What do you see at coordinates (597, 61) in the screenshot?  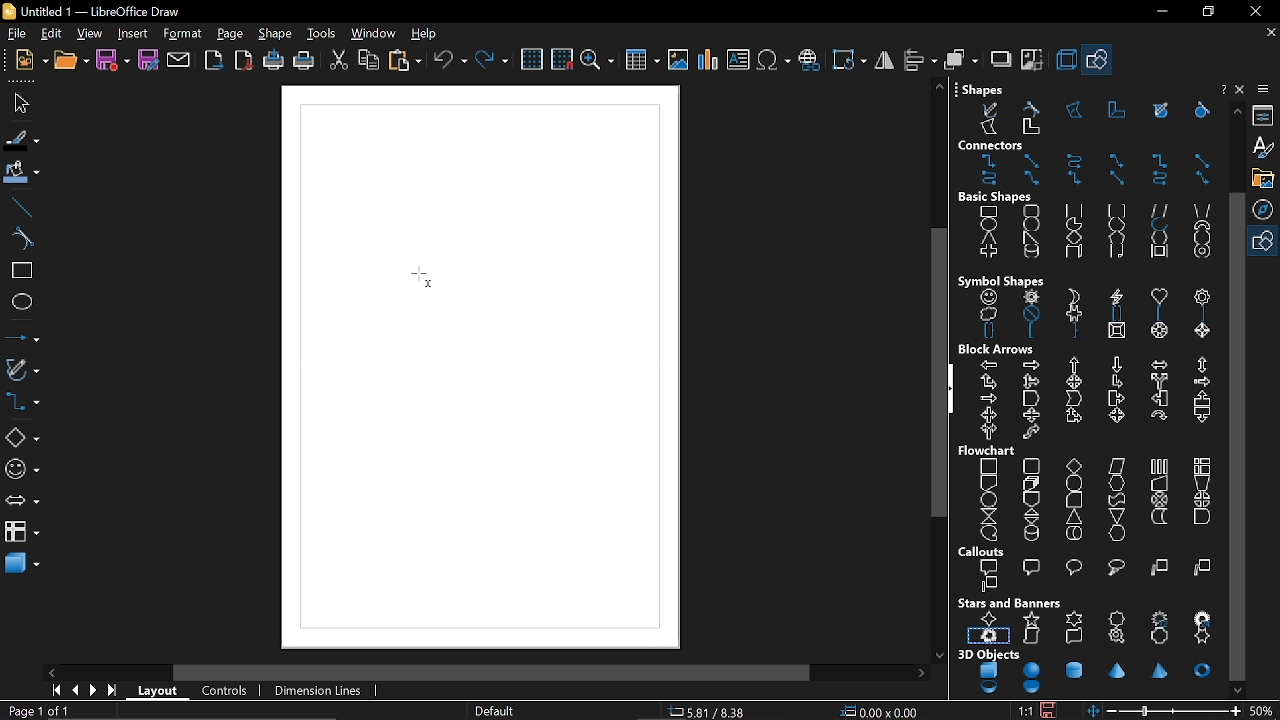 I see `zoom` at bounding box center [597, 61].